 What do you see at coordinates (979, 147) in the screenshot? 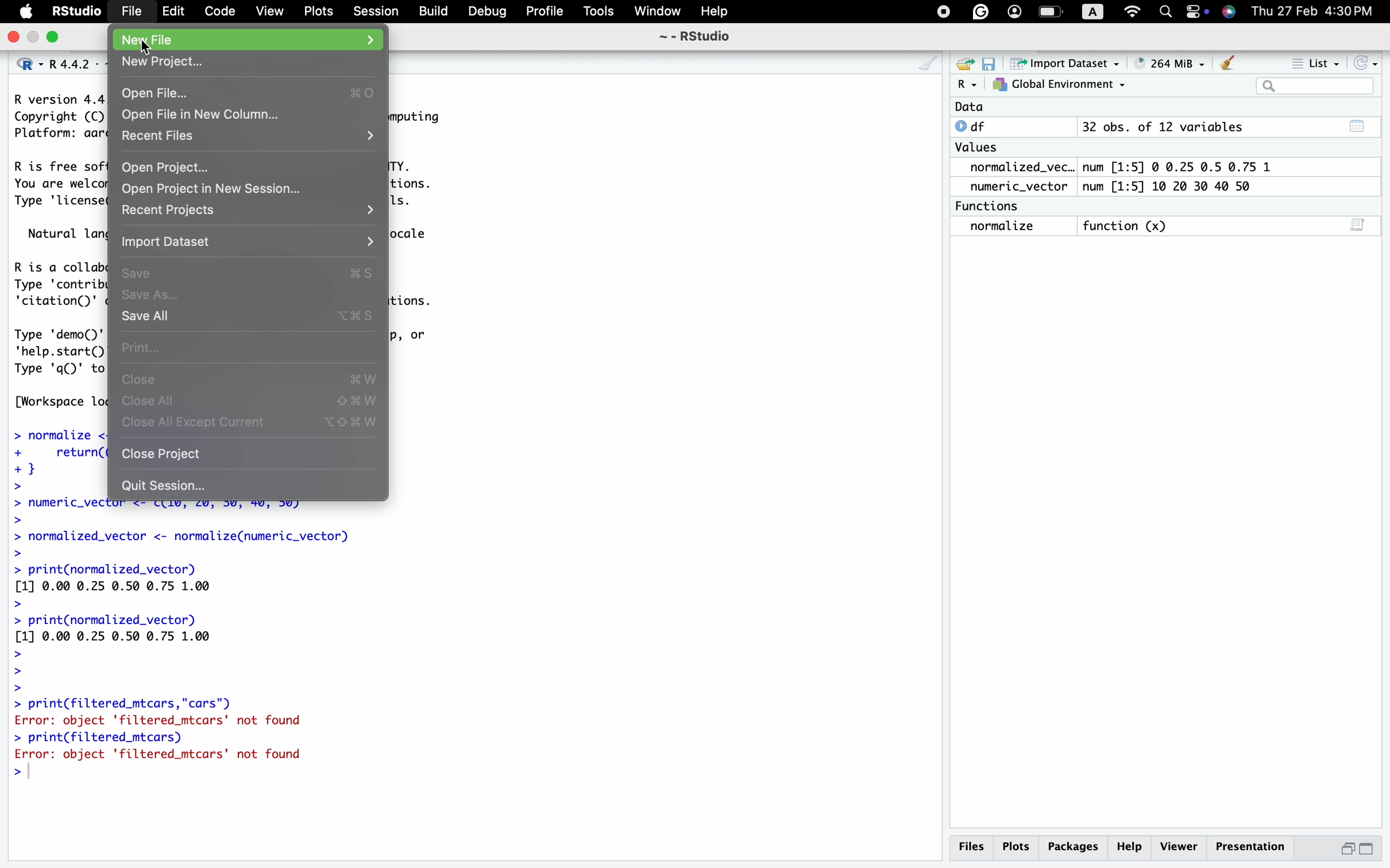
I see `values` at bounding box center [979, 147].